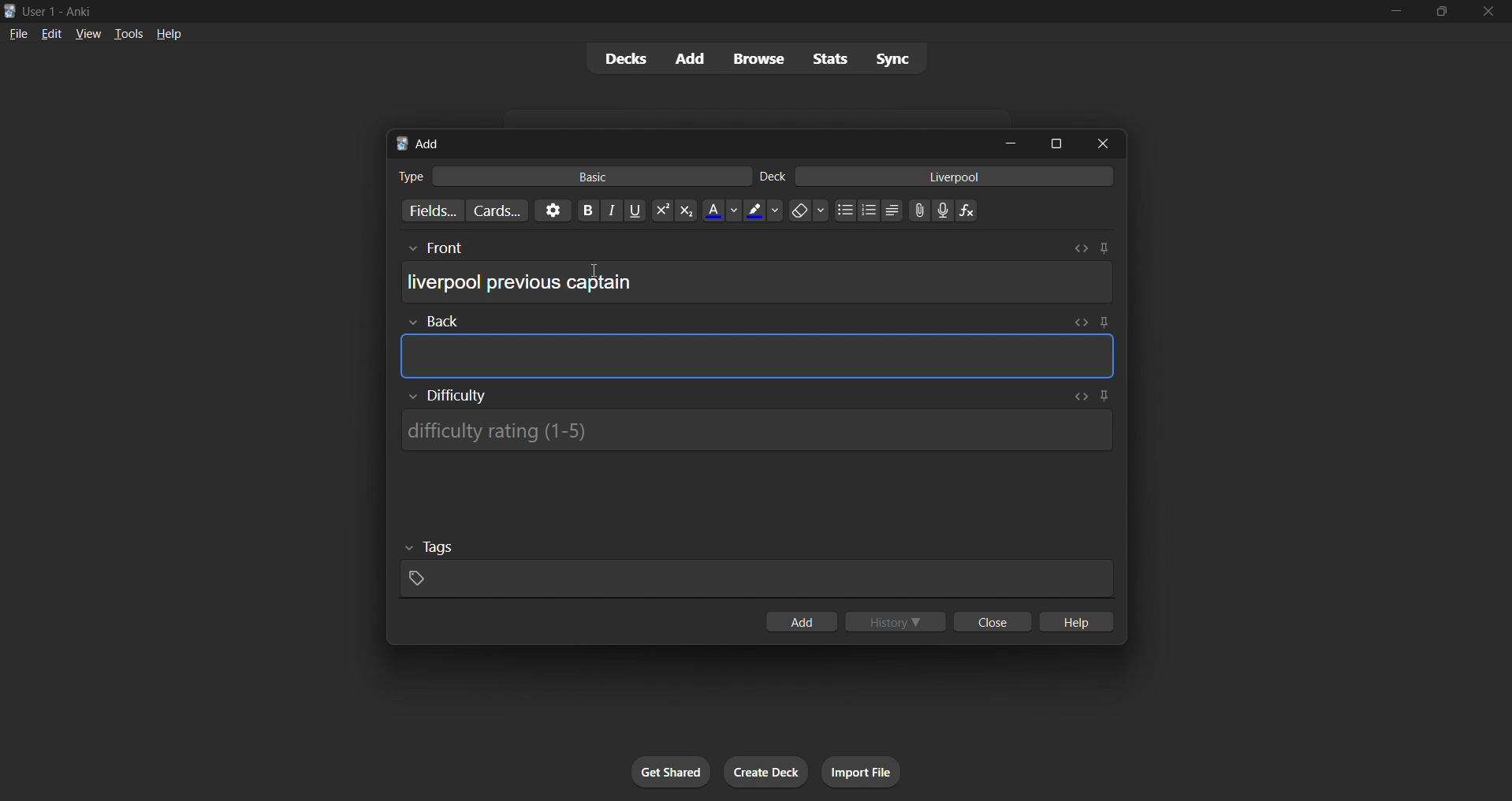 Image resolution: width=1512 pixels, height=801 pixels. I want to click on customize card templates, so click(495, 210).